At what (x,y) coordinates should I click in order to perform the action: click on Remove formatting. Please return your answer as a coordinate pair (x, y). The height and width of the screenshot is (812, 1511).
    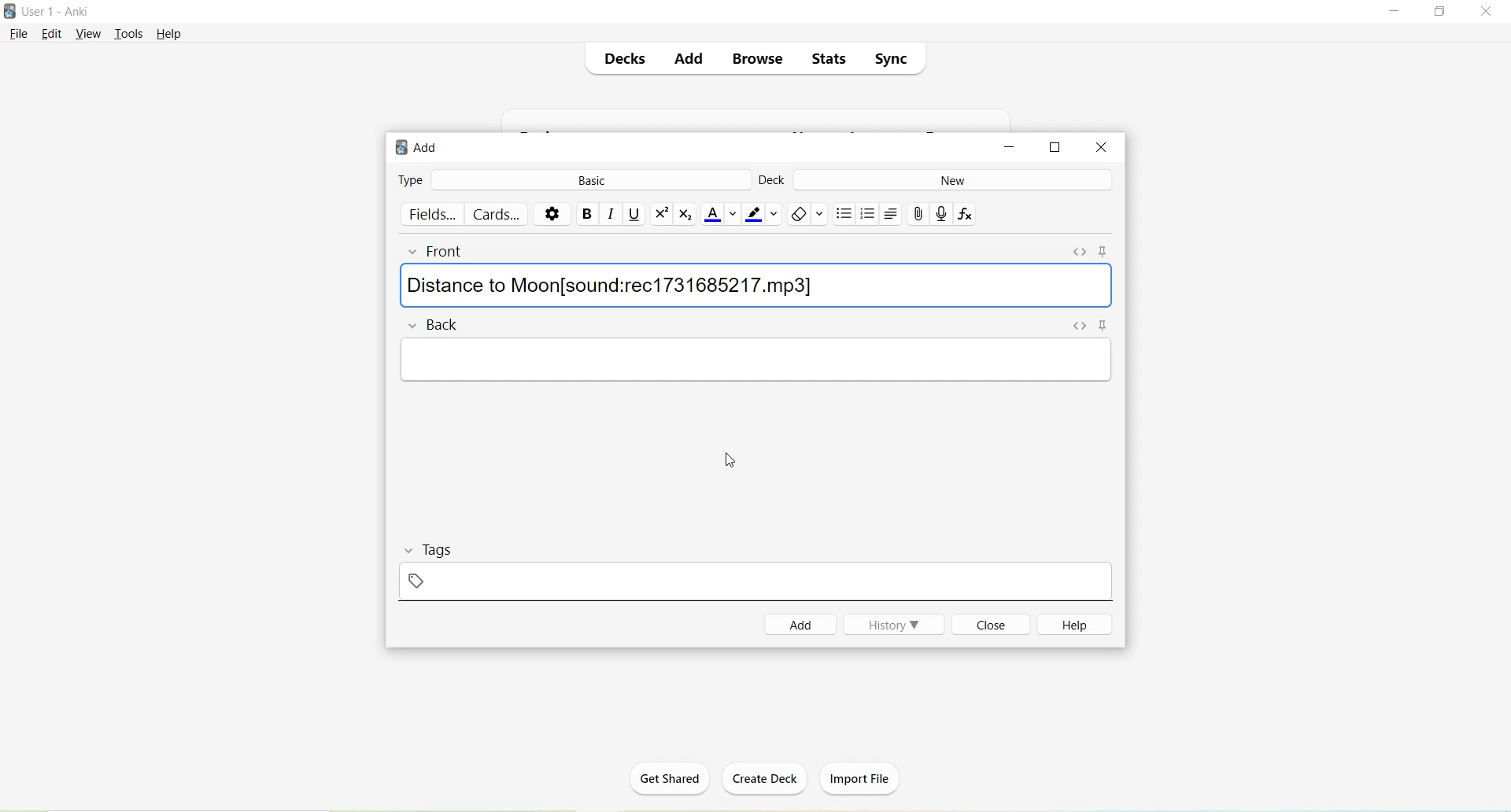
    Looking at the image, I should click on (807, 216).